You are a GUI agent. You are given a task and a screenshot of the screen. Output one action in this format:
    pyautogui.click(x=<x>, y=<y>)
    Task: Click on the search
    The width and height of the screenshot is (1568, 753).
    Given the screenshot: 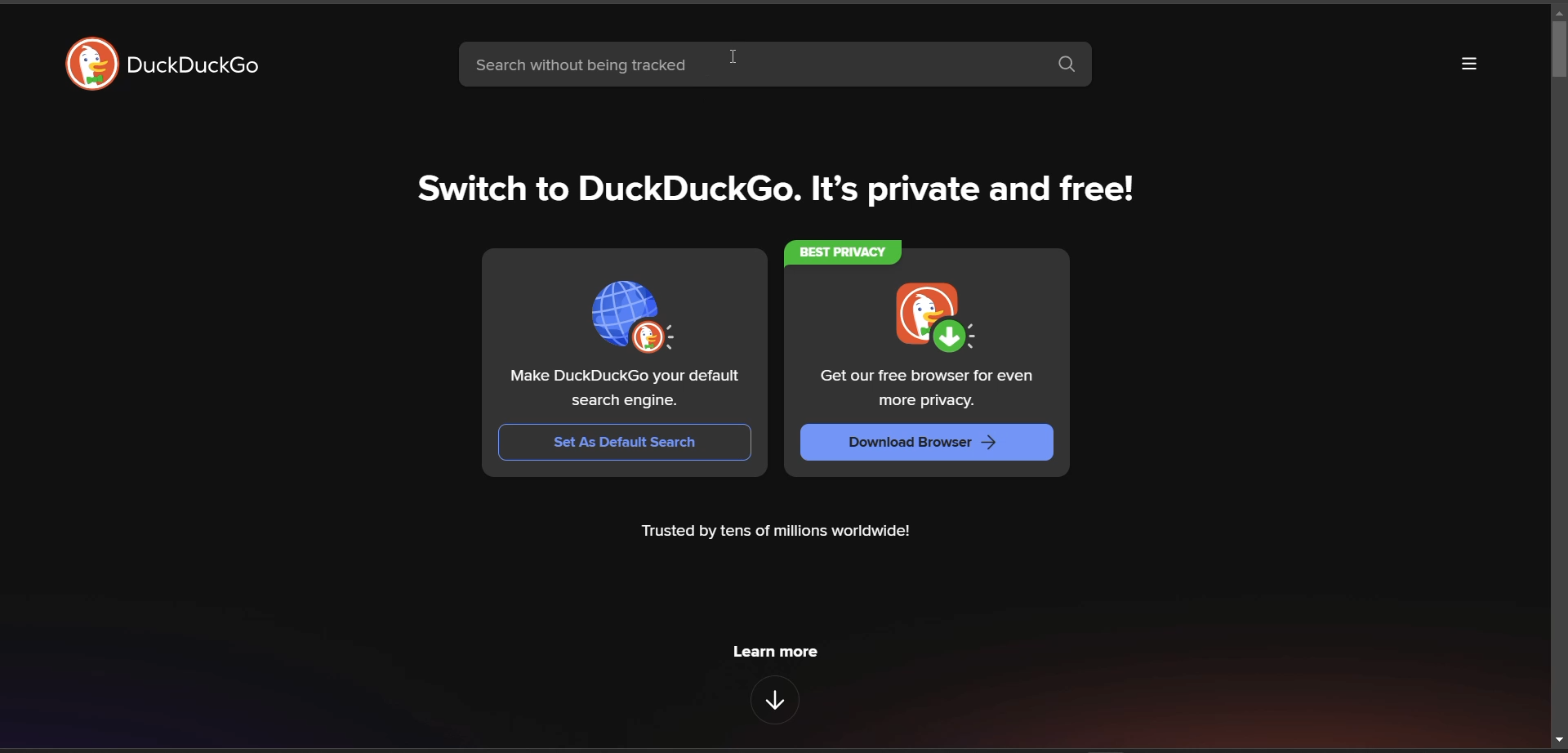 What is the action you would take?
    pyautogui.click(x=1071, y=65)
    